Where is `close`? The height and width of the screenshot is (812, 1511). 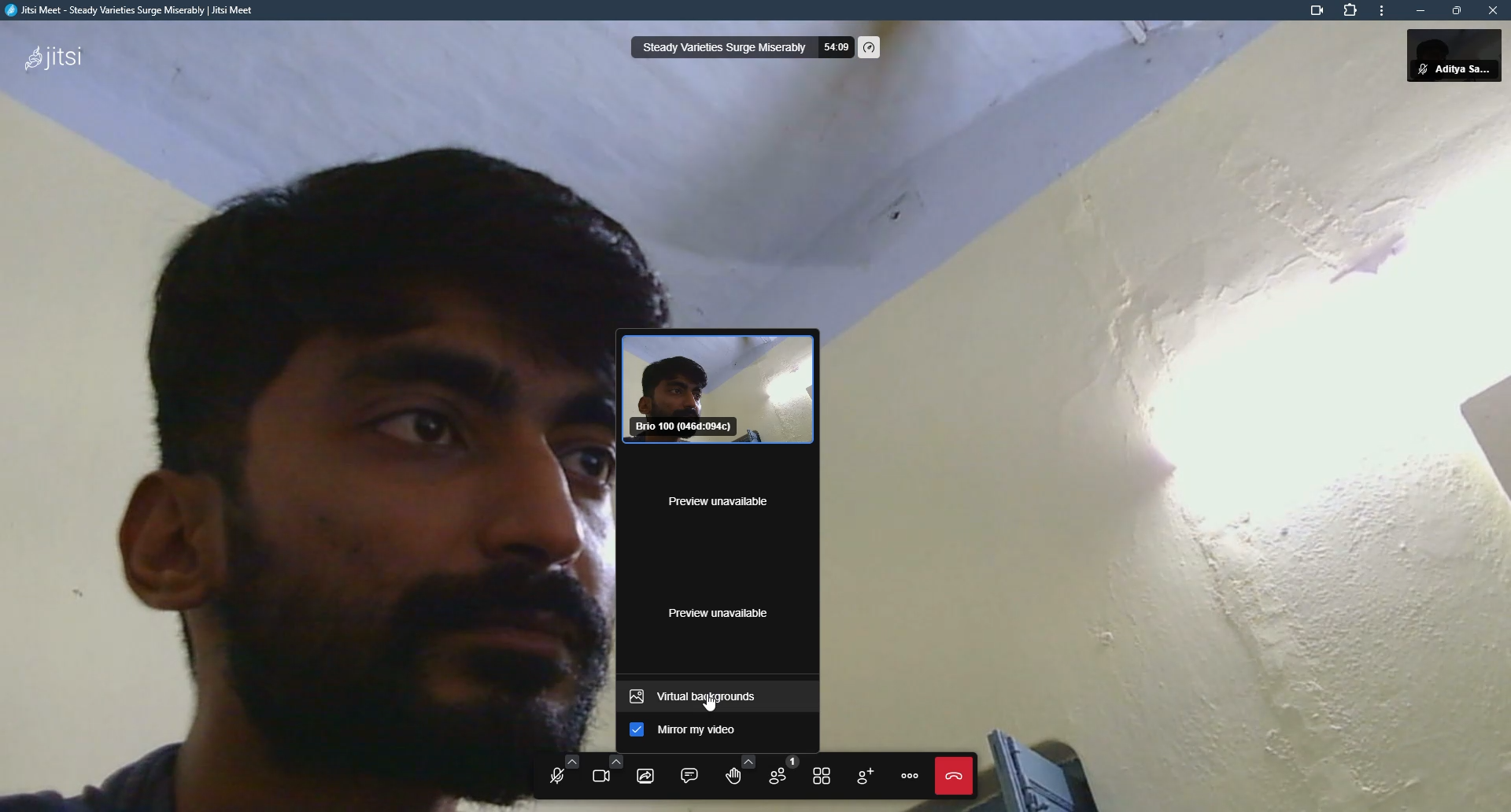 close is located at coordinates (1492, 10).